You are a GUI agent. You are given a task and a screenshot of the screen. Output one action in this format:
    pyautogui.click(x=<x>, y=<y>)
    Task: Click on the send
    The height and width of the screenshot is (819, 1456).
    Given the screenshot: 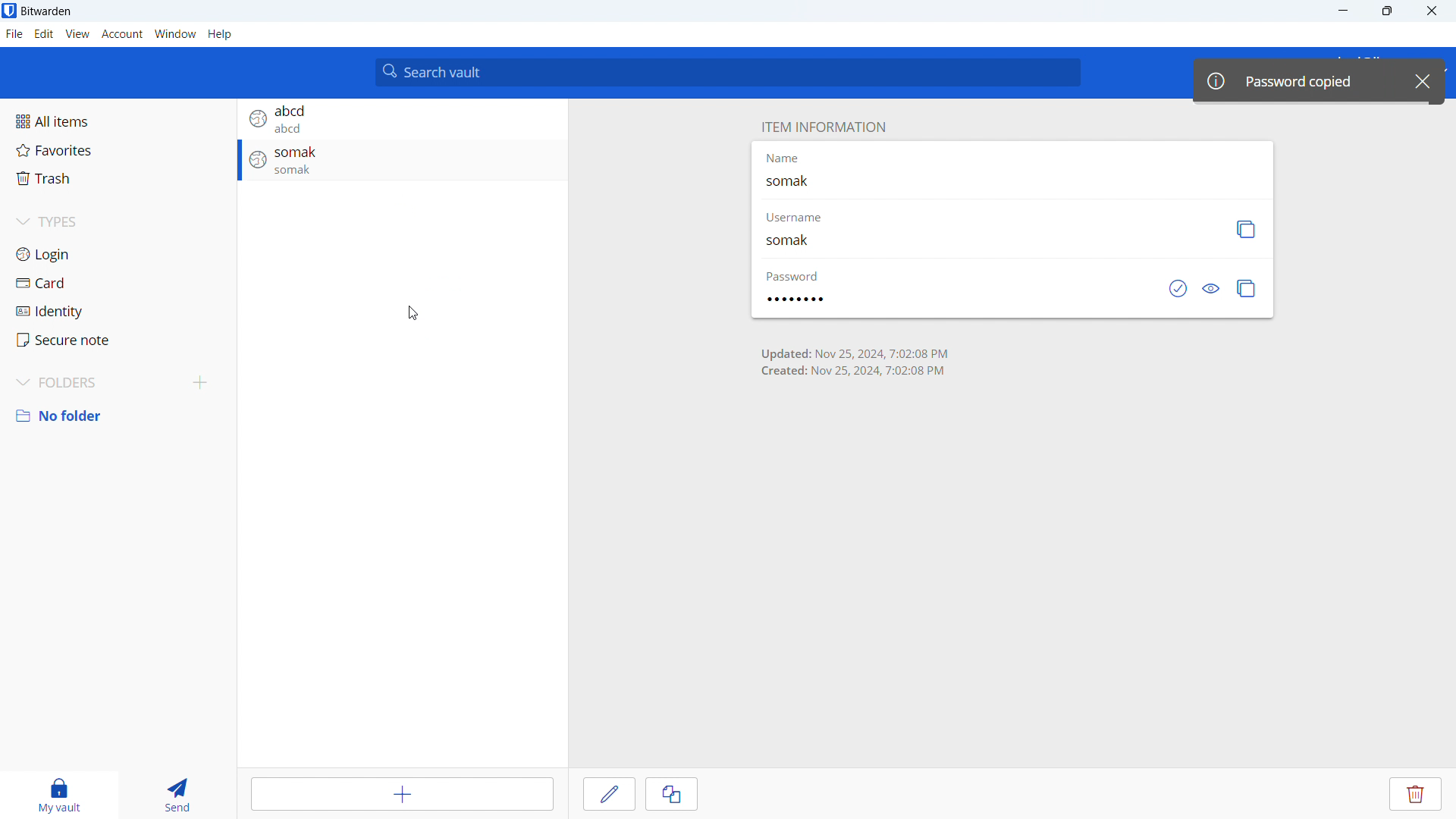 What is the action you would take?
    pyautogui.click(x=184, y=795)
    